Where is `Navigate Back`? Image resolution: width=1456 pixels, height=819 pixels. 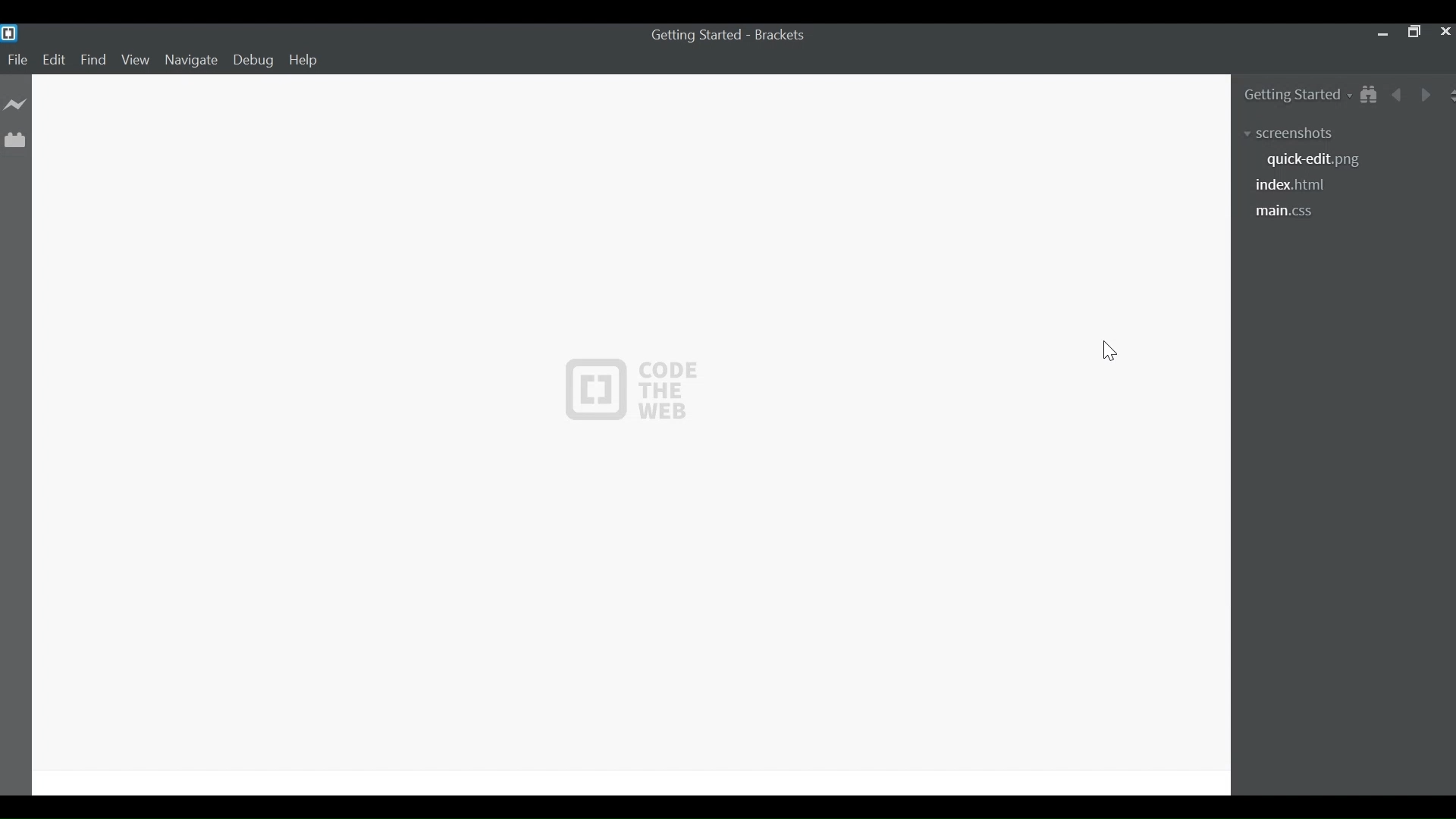
Navigate Back is located at coordinates (1398, 93).